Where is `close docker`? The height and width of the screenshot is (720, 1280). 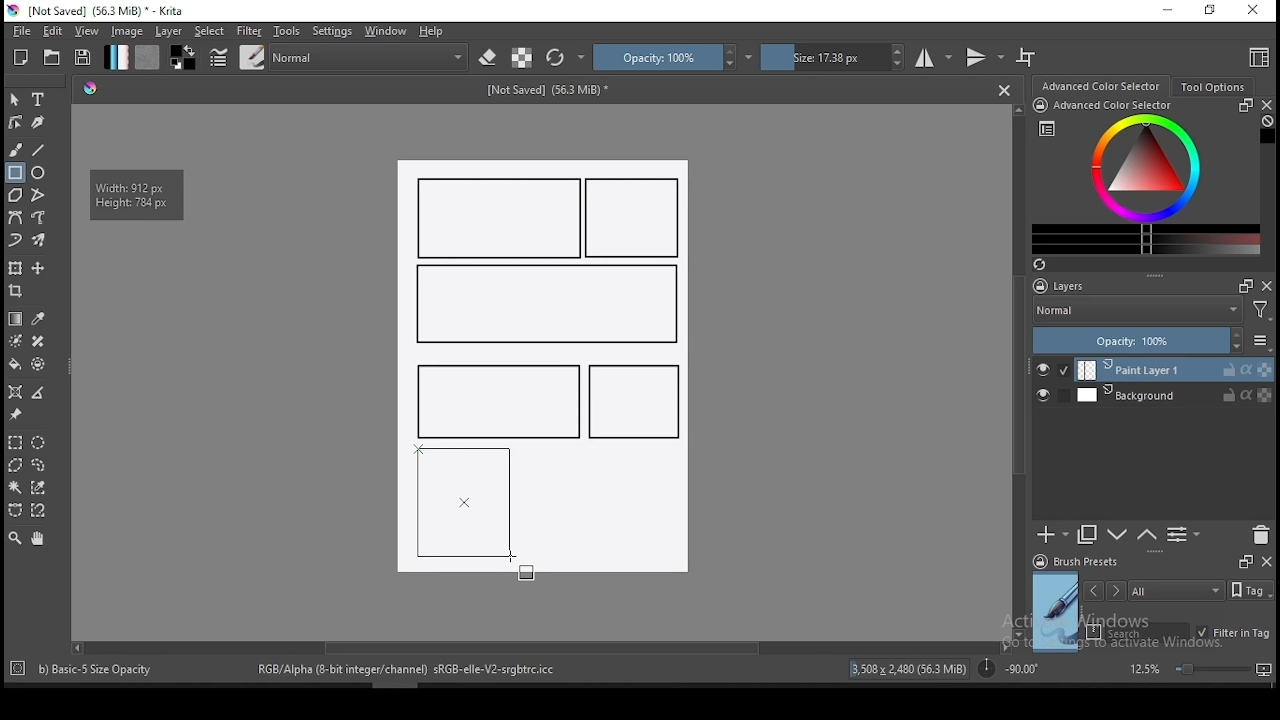 close docker is located at coordinates (1266, 105).